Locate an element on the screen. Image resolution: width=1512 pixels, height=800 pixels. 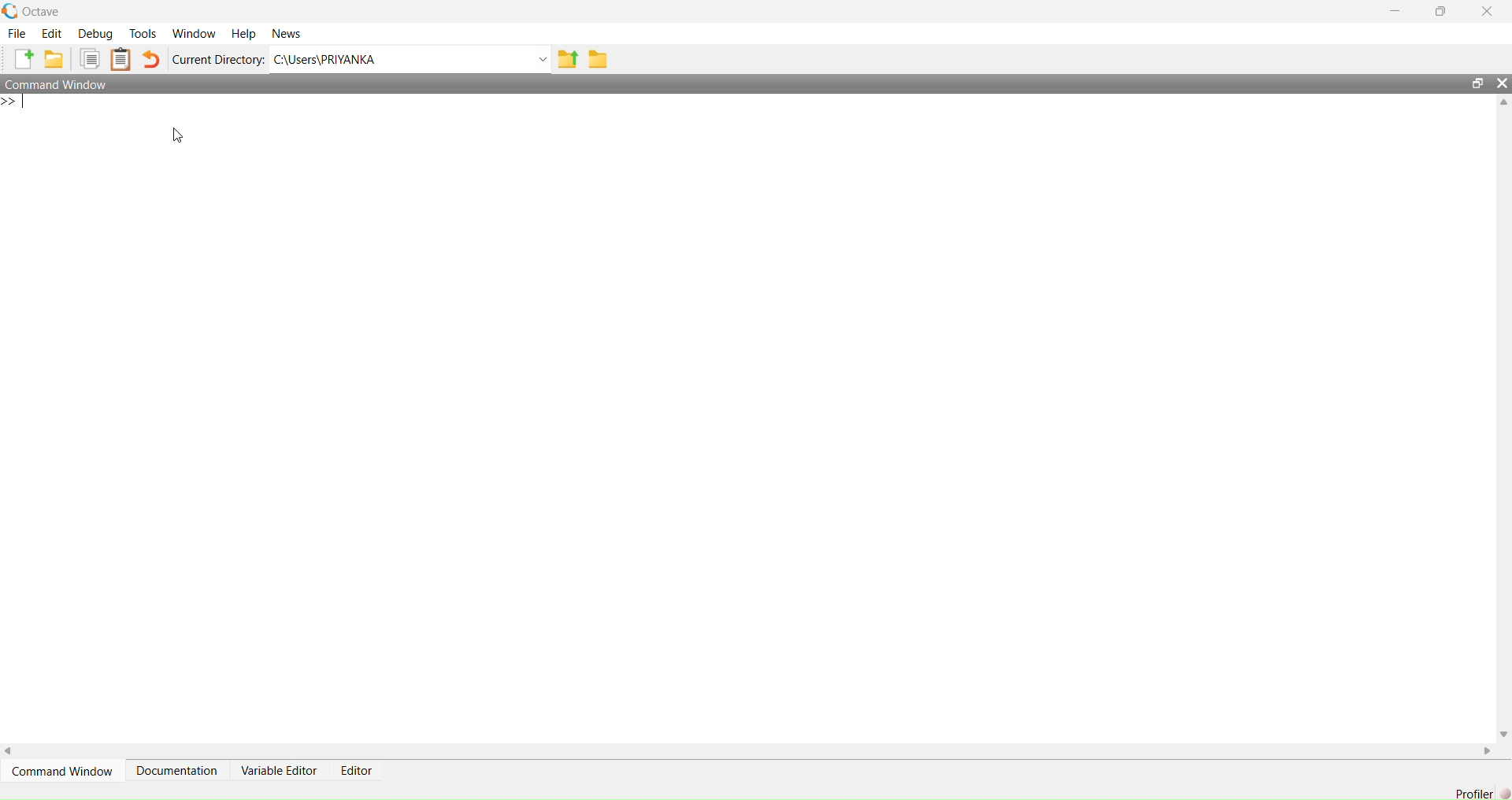
export is located at coordinates (569, 64).